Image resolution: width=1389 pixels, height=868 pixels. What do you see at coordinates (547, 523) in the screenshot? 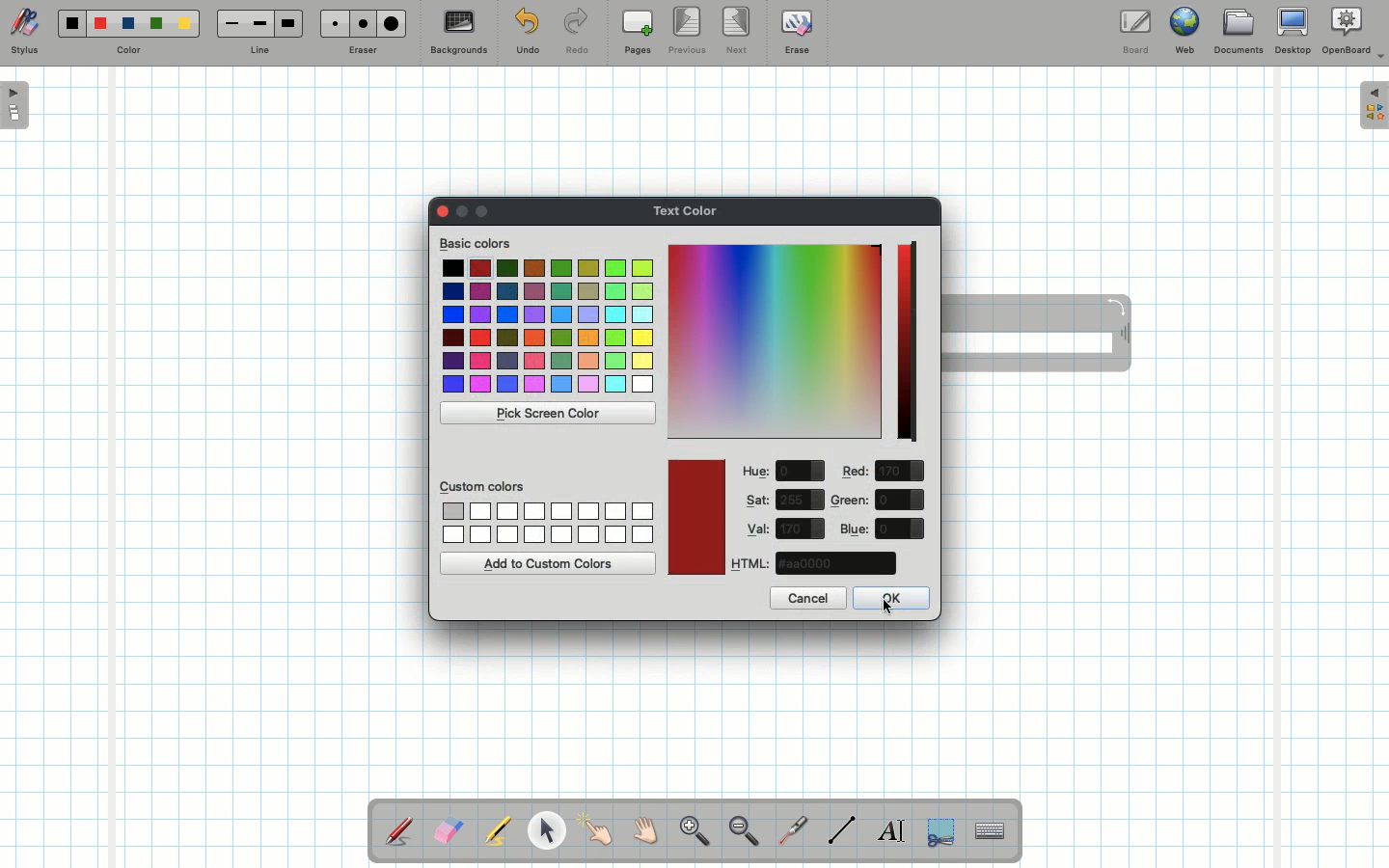
I see `Custom colors` at bounding box center [547, 523].